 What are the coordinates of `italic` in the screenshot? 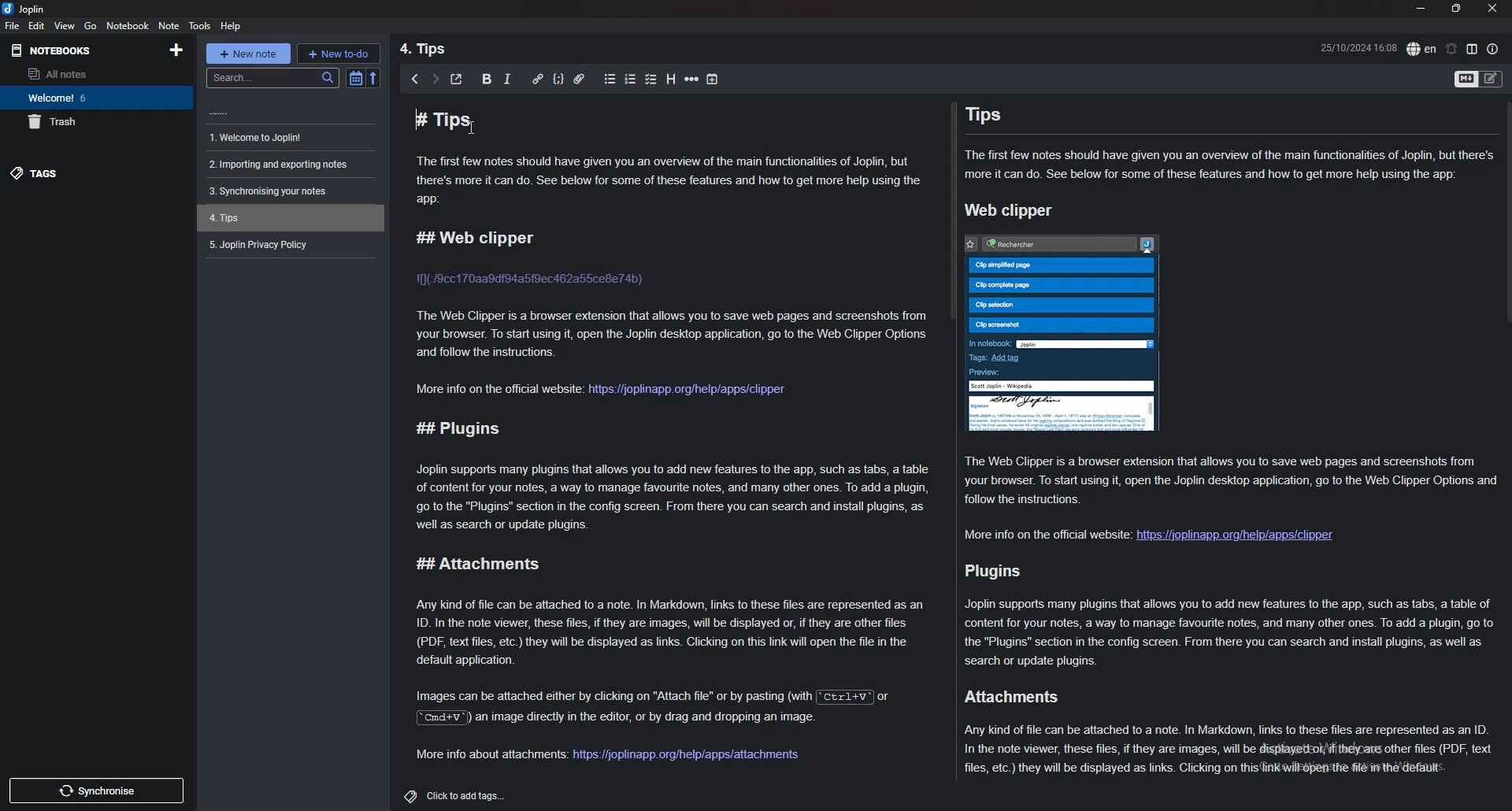 It's located at (508, 77).